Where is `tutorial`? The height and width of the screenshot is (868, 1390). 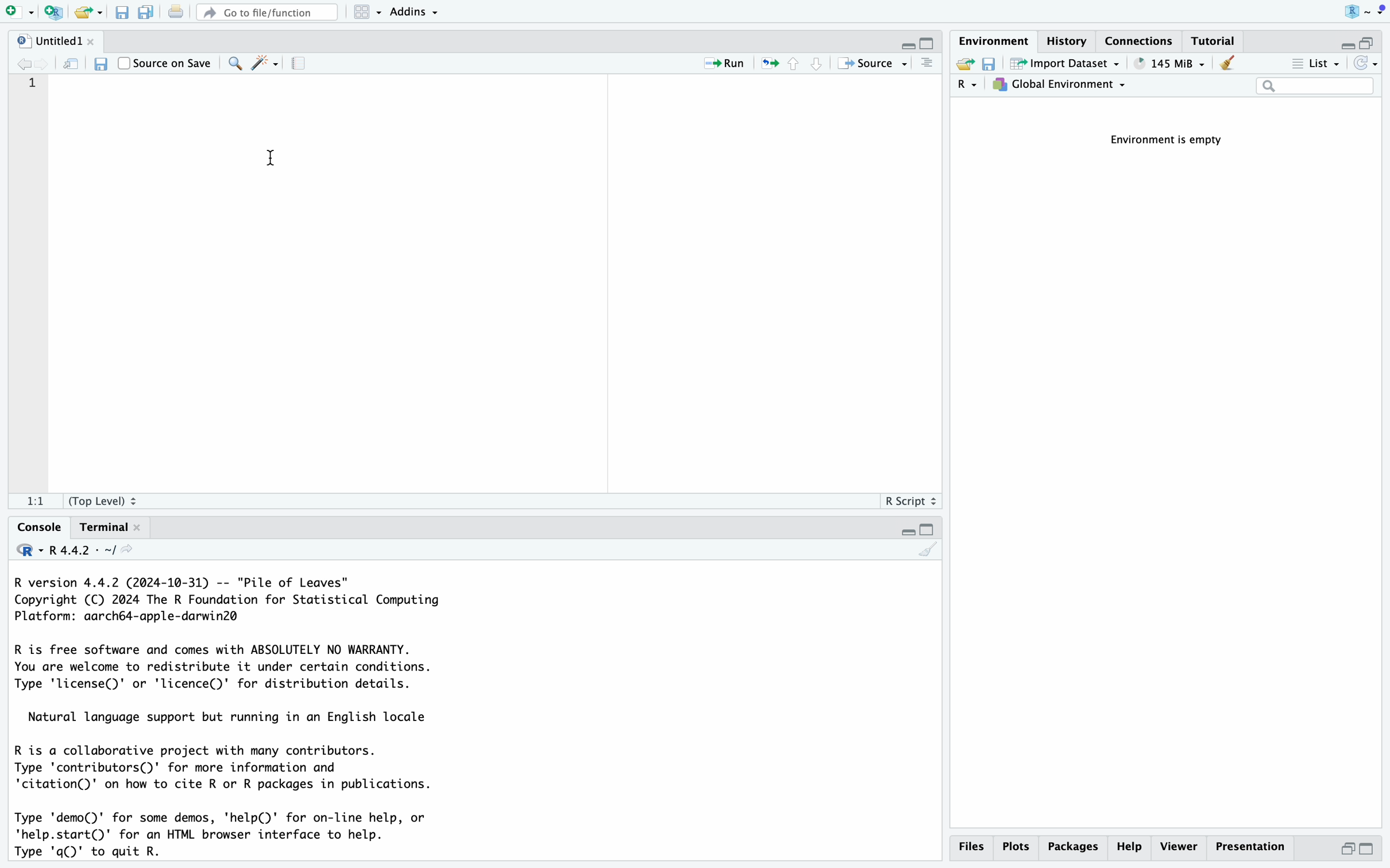 tutorial is located at coordinates (1216, 40).